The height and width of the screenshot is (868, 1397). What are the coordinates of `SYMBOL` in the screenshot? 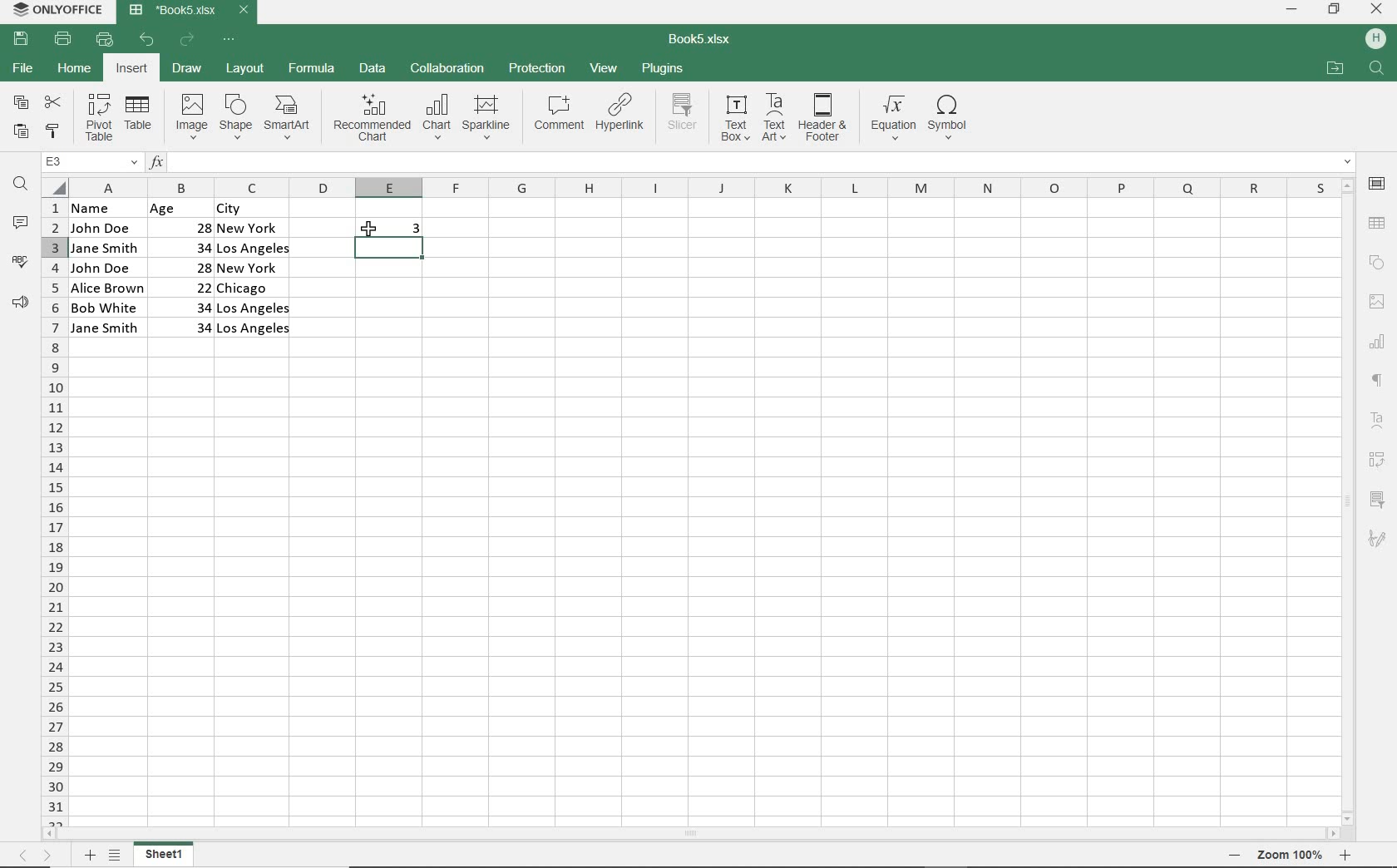 It's located at (953, 117).